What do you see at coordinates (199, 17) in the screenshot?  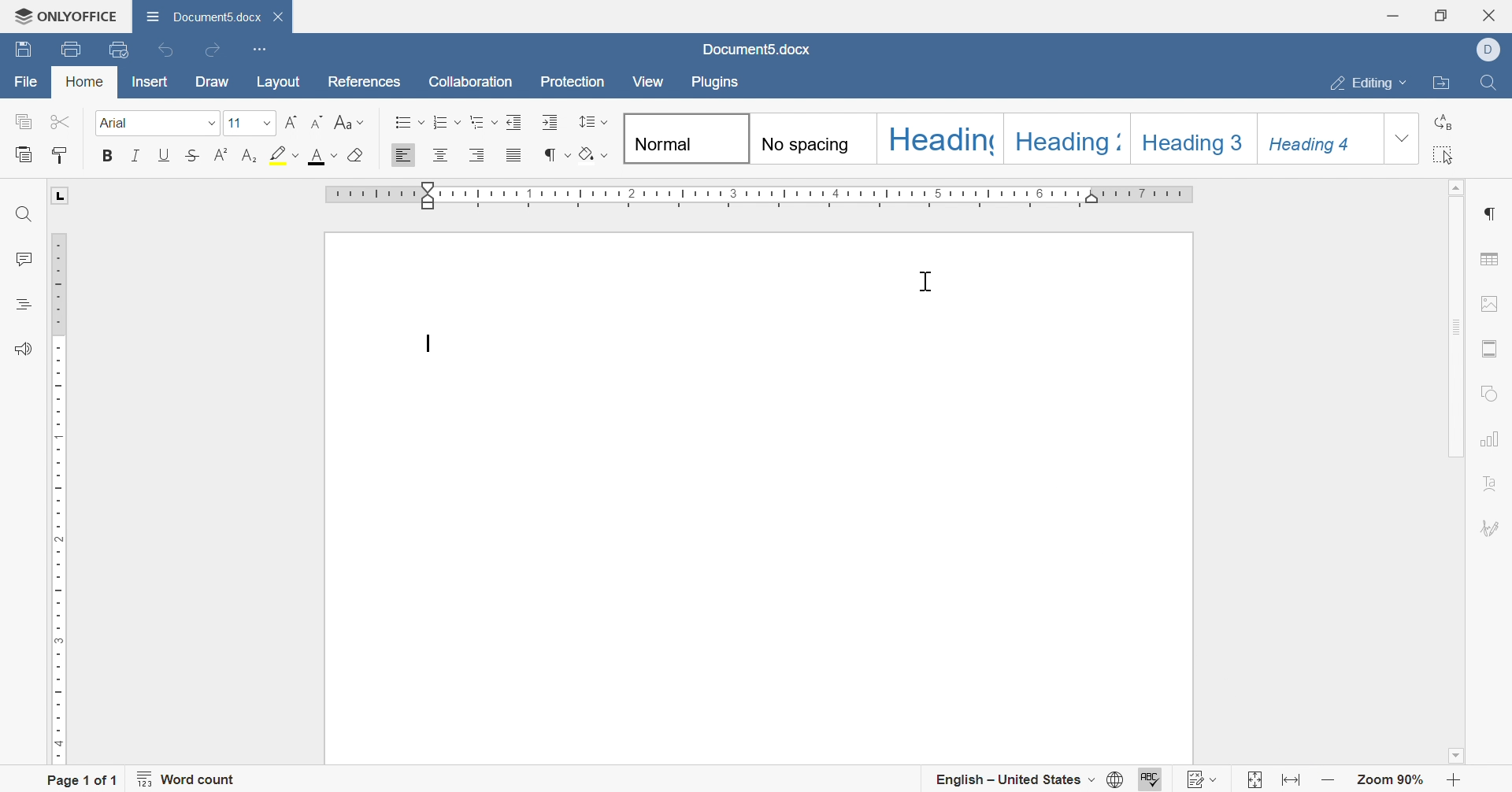 I see `Document5.docx` at bounding box center [199, 17].